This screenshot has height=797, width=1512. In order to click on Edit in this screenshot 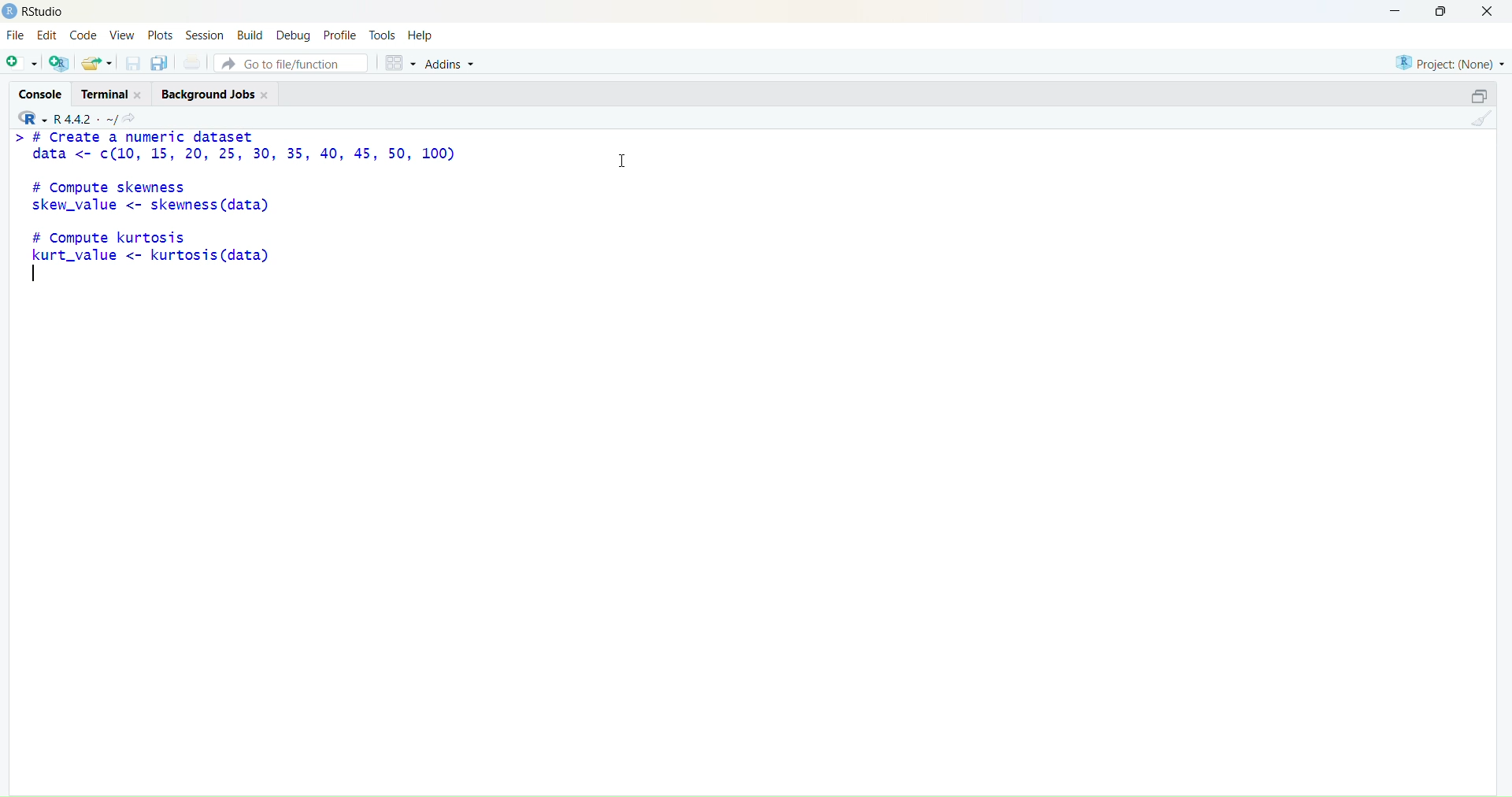, I will do `click(50, 36)`.